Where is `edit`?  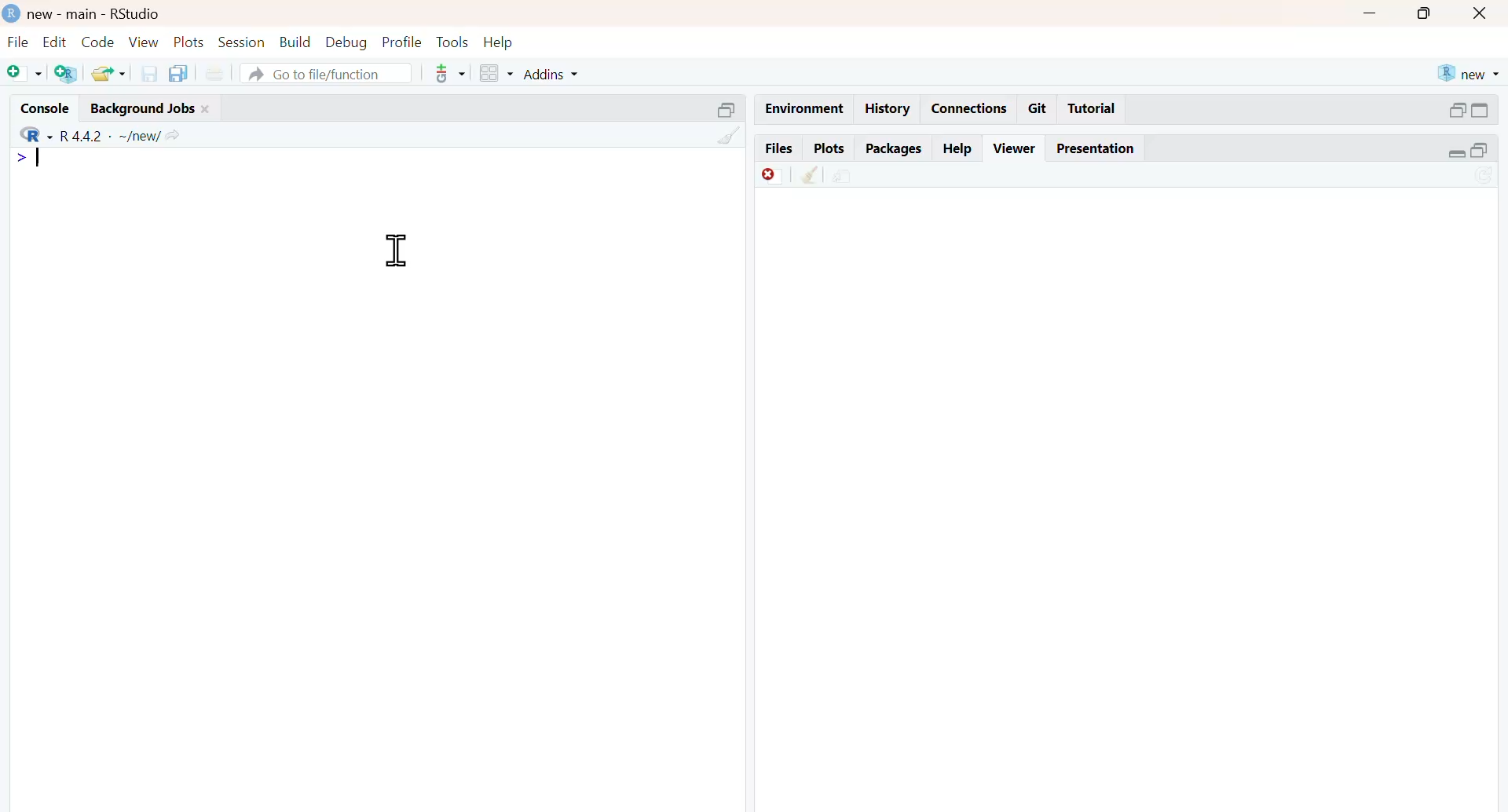
edit is located at coordinates (55, 42).